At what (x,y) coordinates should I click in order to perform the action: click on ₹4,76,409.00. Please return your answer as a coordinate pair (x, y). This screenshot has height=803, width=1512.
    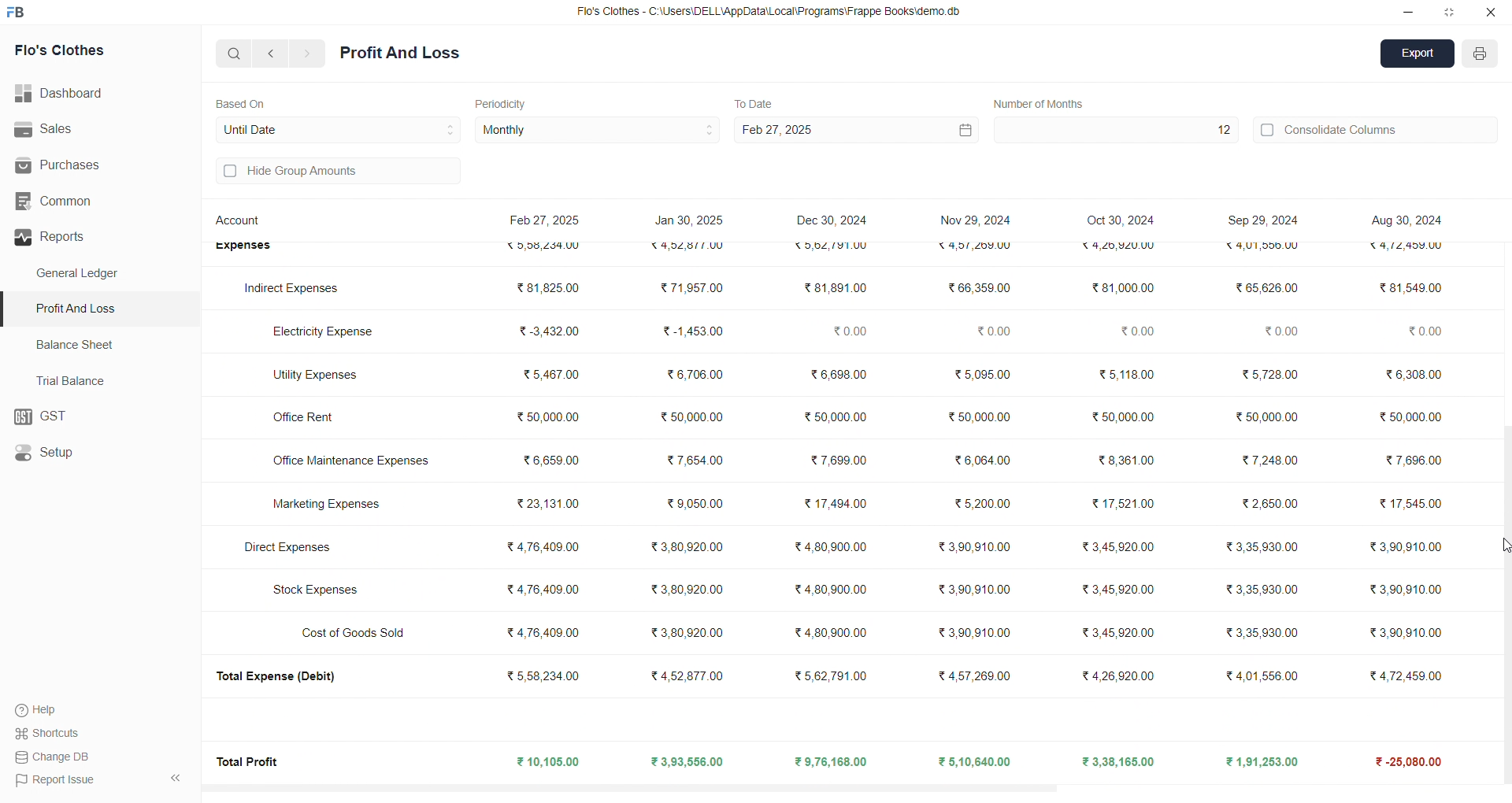
    Looking at the image, I should click on (543, 547).